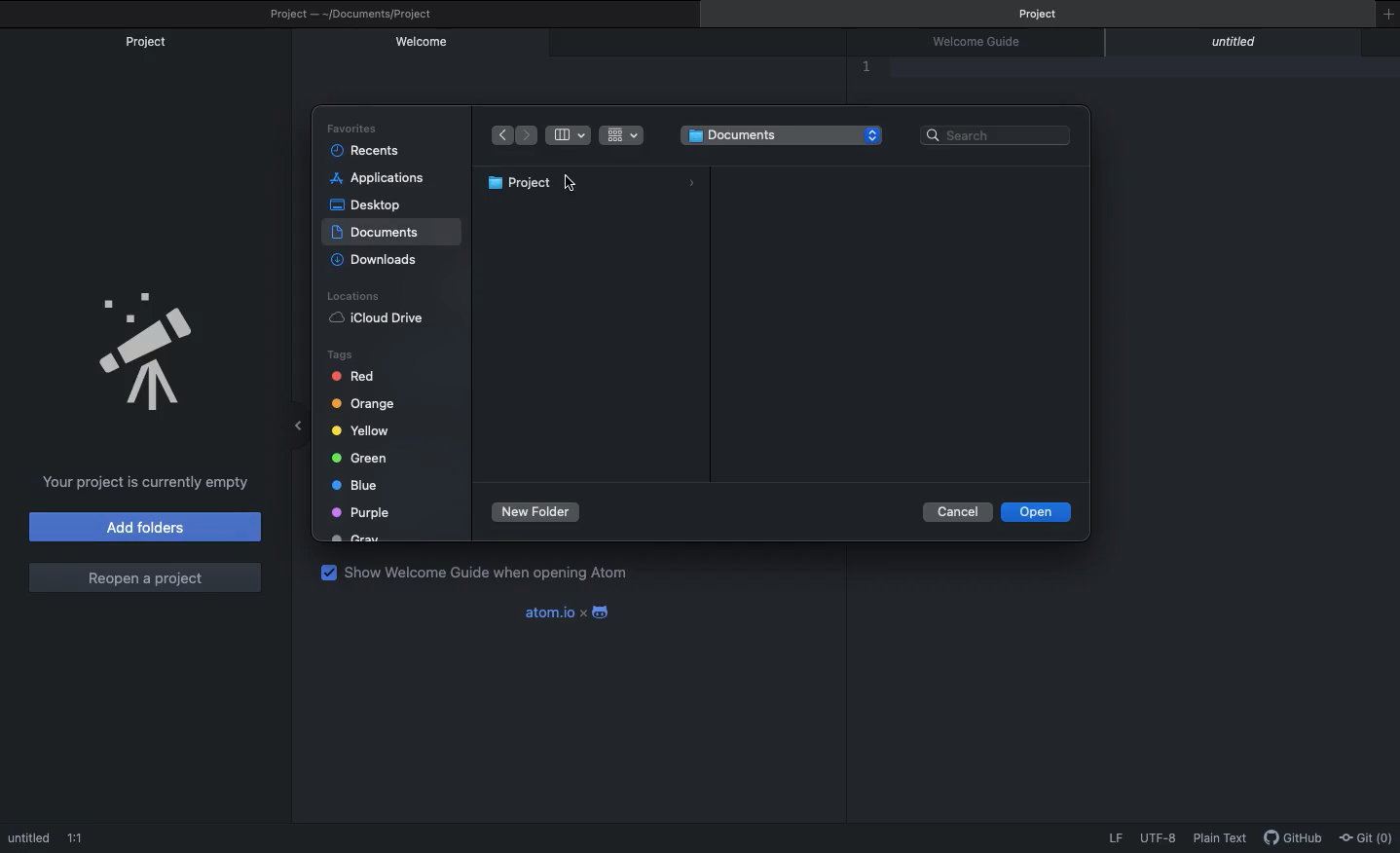 The height and width of the screenshot is (853, 1400). I want to click on Reopen a project, so click(145, 576).